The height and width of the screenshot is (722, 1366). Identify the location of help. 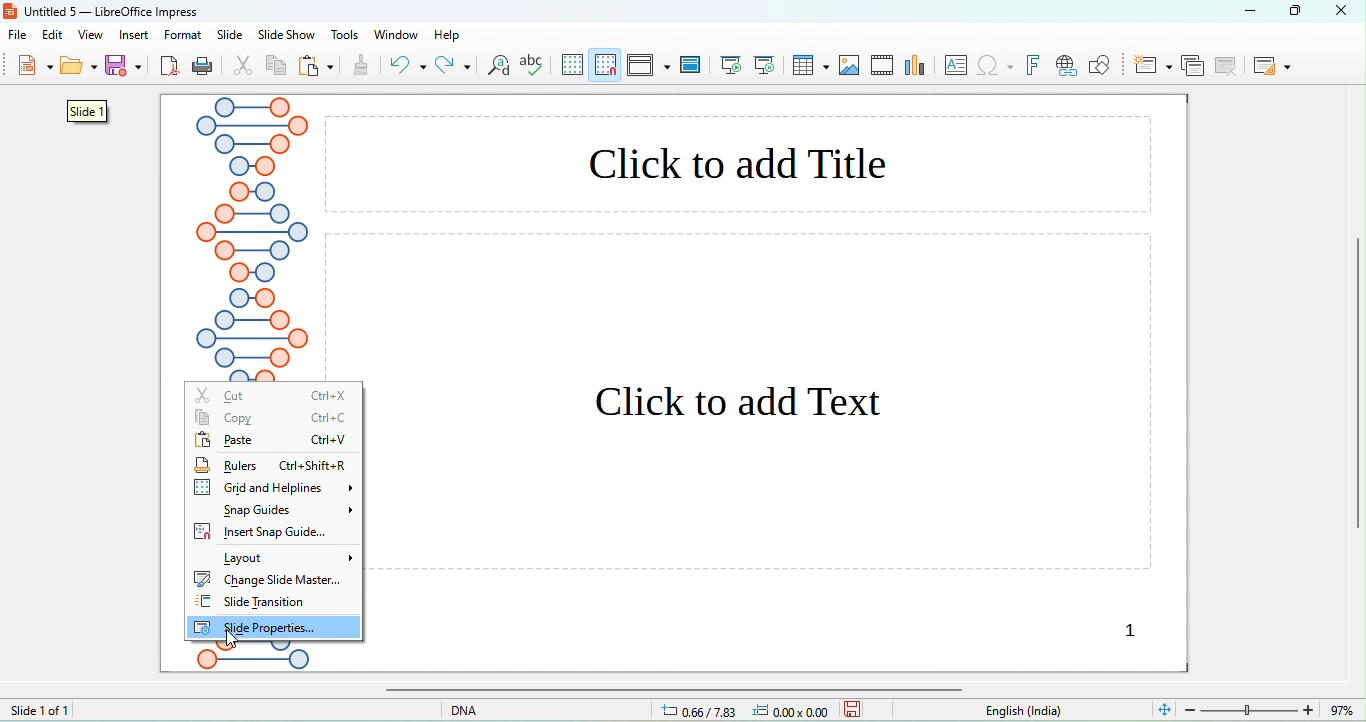
(448, 35).